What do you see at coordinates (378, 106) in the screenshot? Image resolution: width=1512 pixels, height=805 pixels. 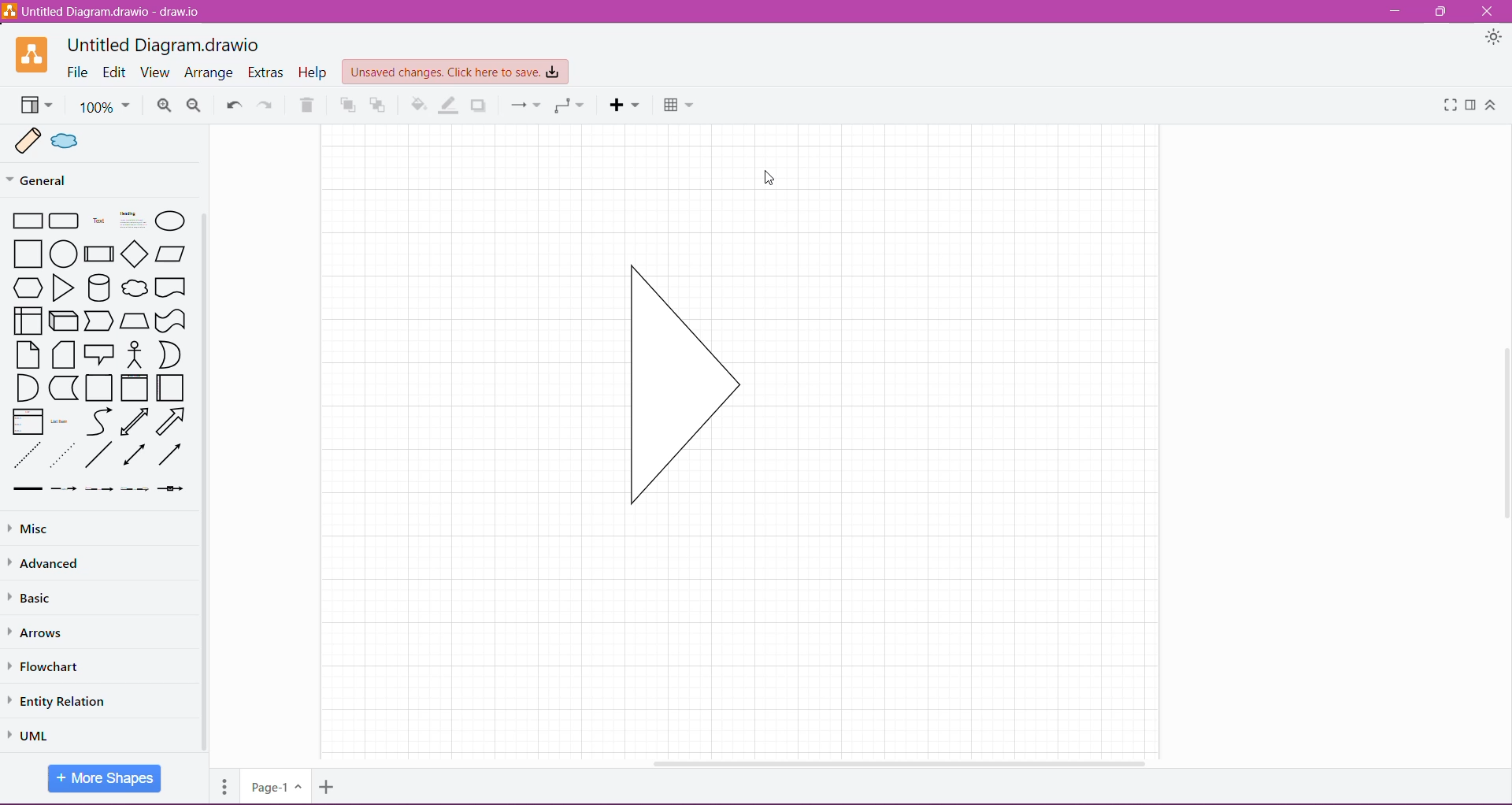 I see `To Back` at bounding box center [378, 106].